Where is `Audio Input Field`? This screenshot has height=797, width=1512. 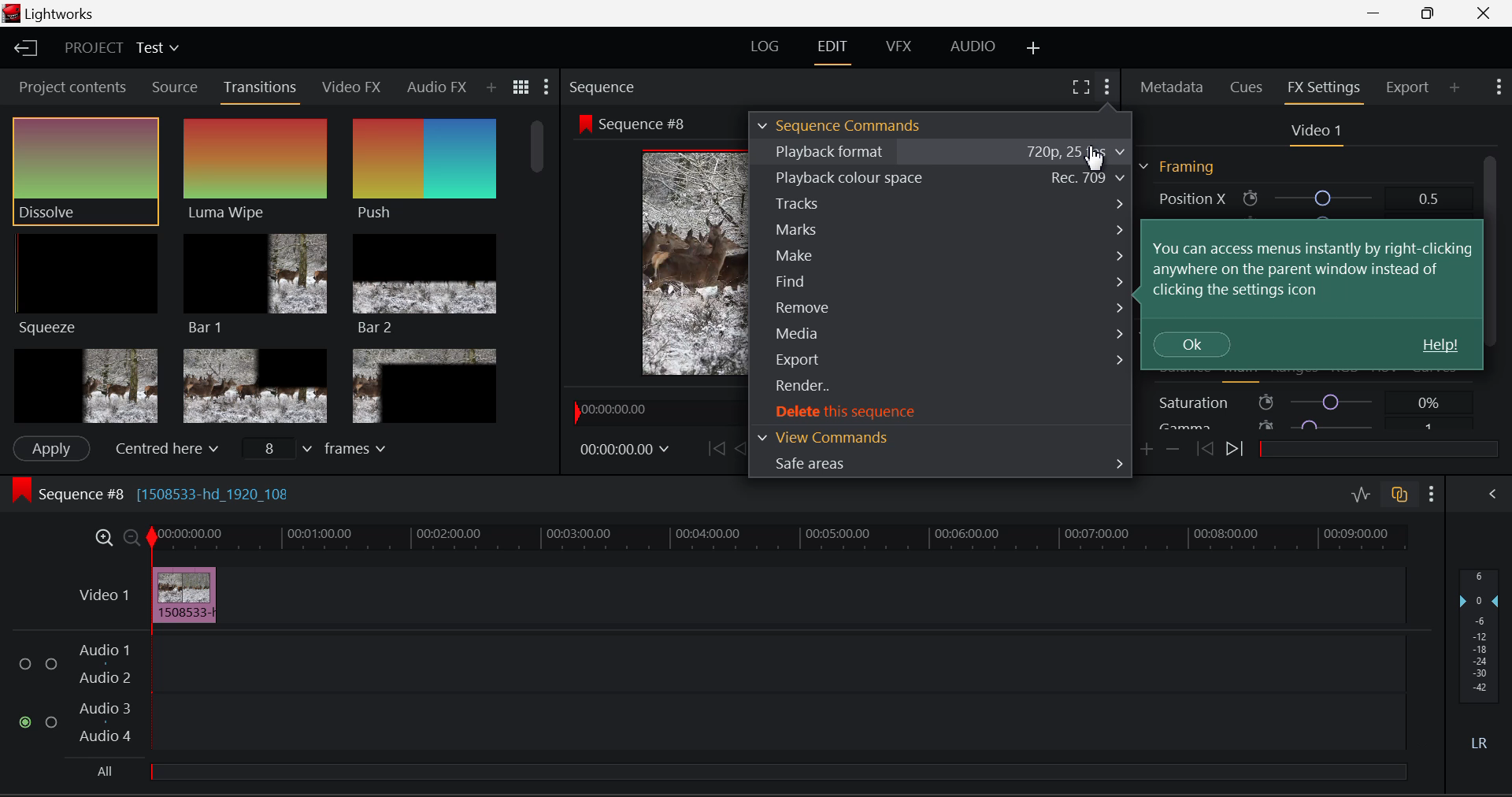 Audio Input Field is located at coordinates (703, 693).